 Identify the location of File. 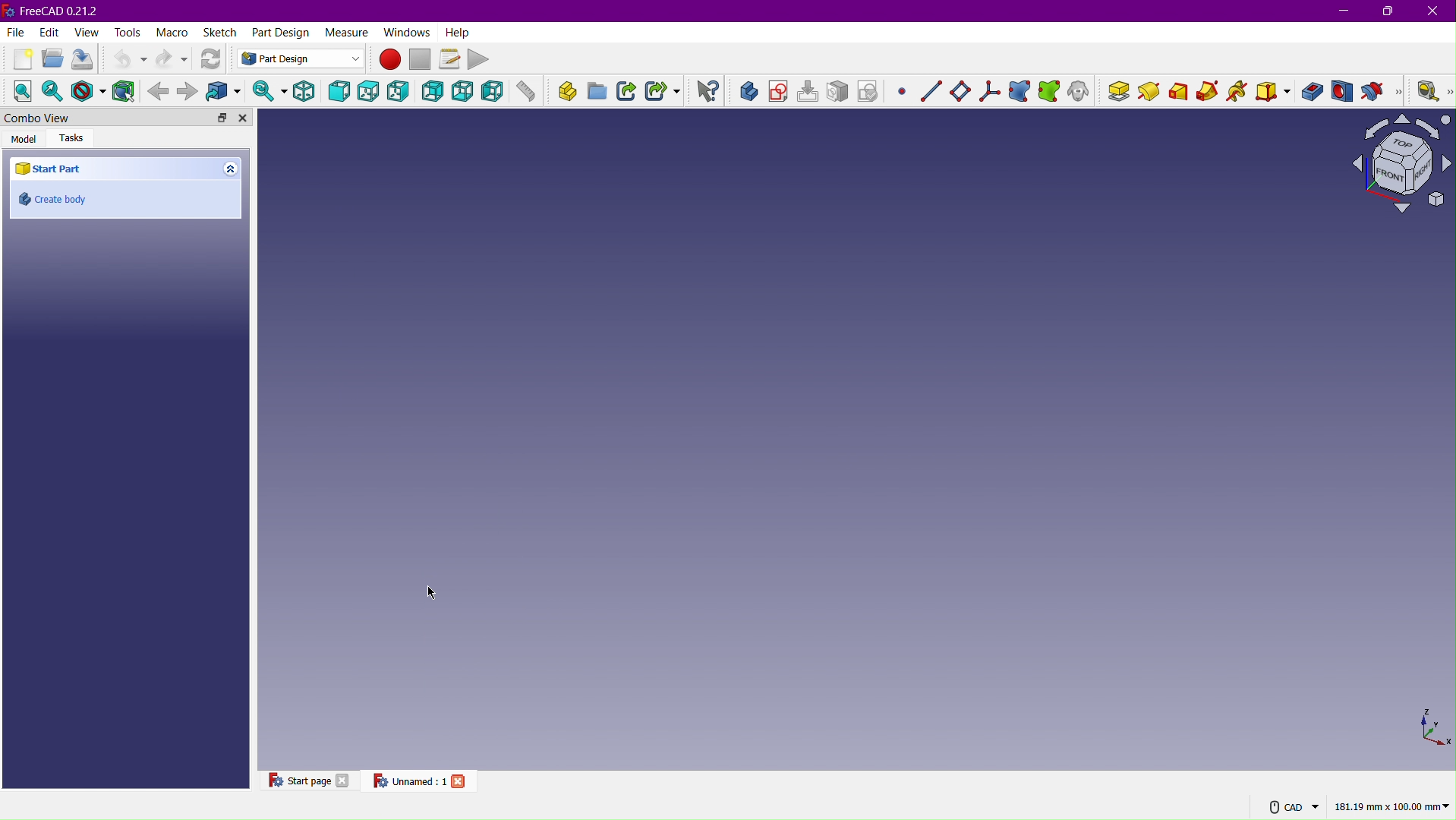
(14, 33).